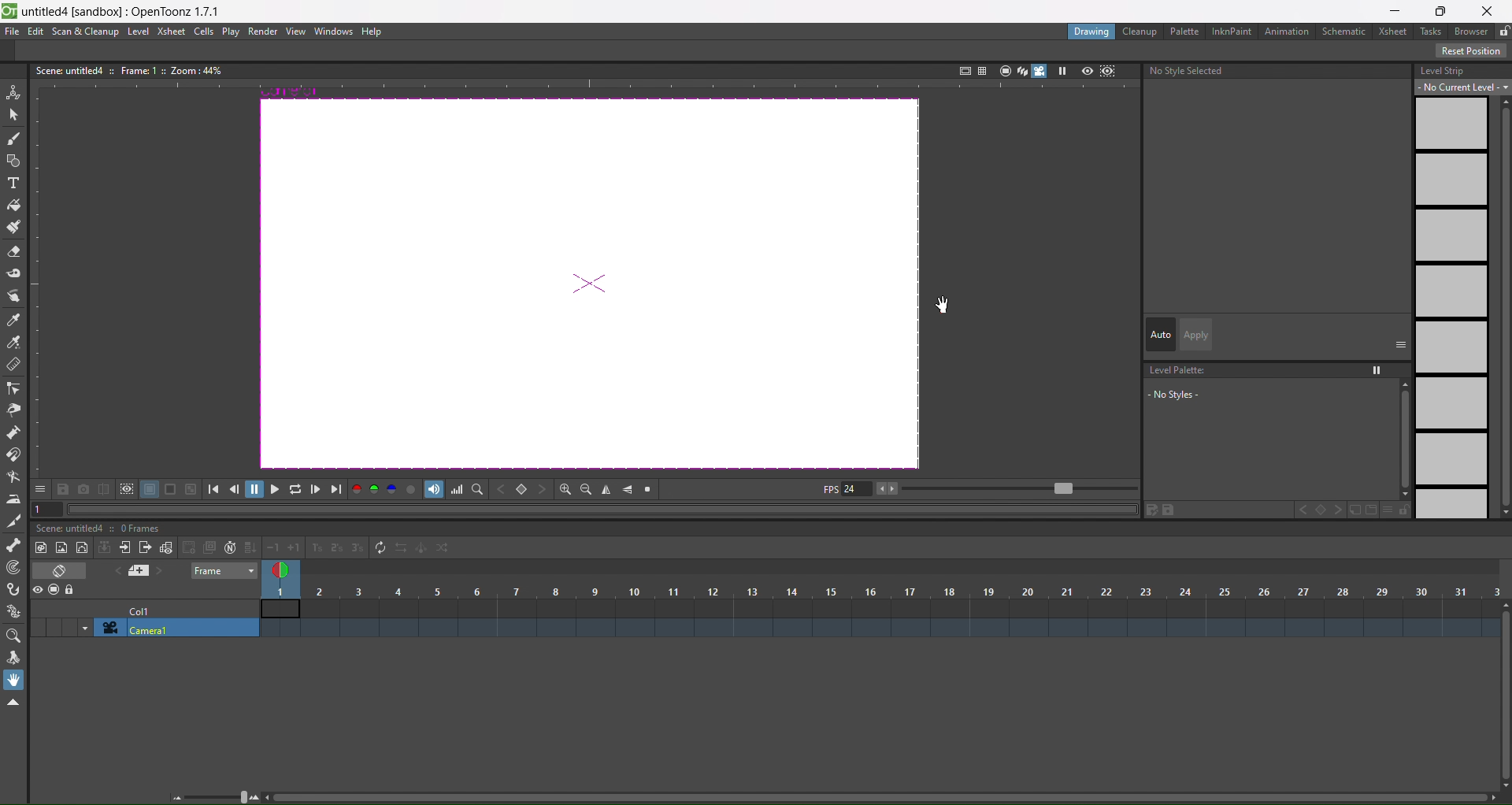 This screenshot has height=805, width=1512. I want to click on style picker tool, so click(13, 321).